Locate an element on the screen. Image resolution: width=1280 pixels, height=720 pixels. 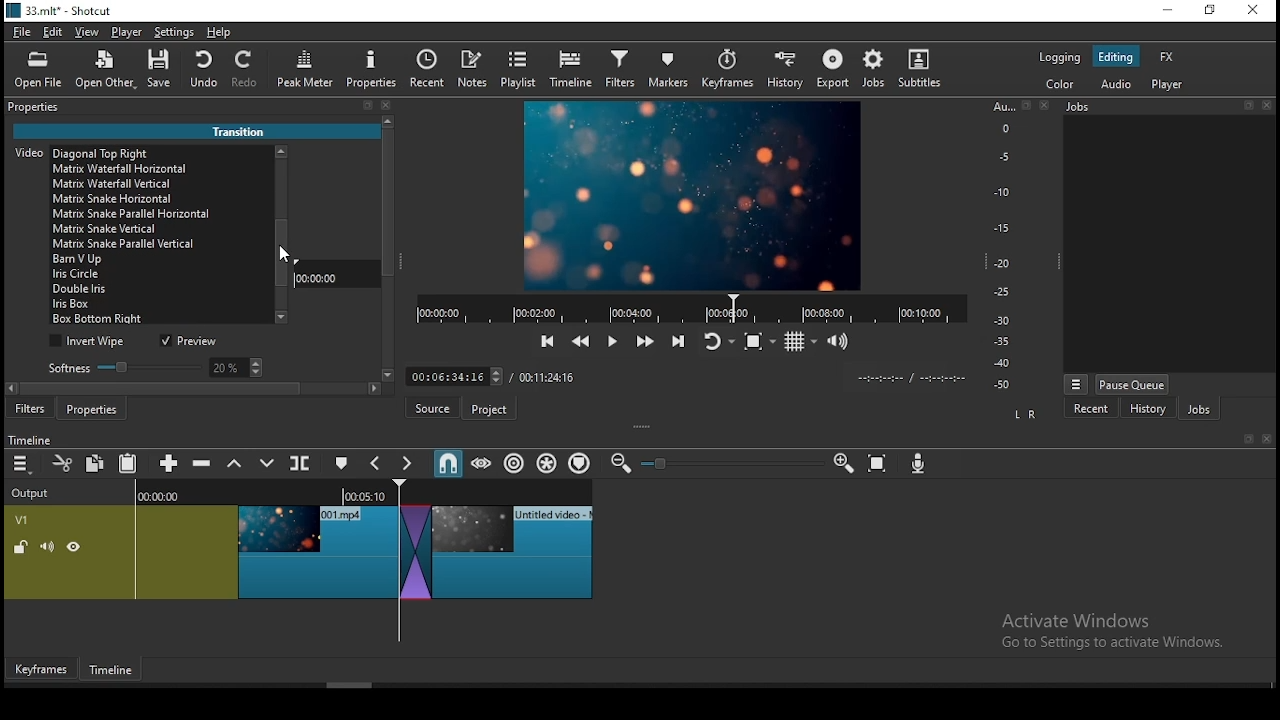
snap is located at coordinates (447, 463).